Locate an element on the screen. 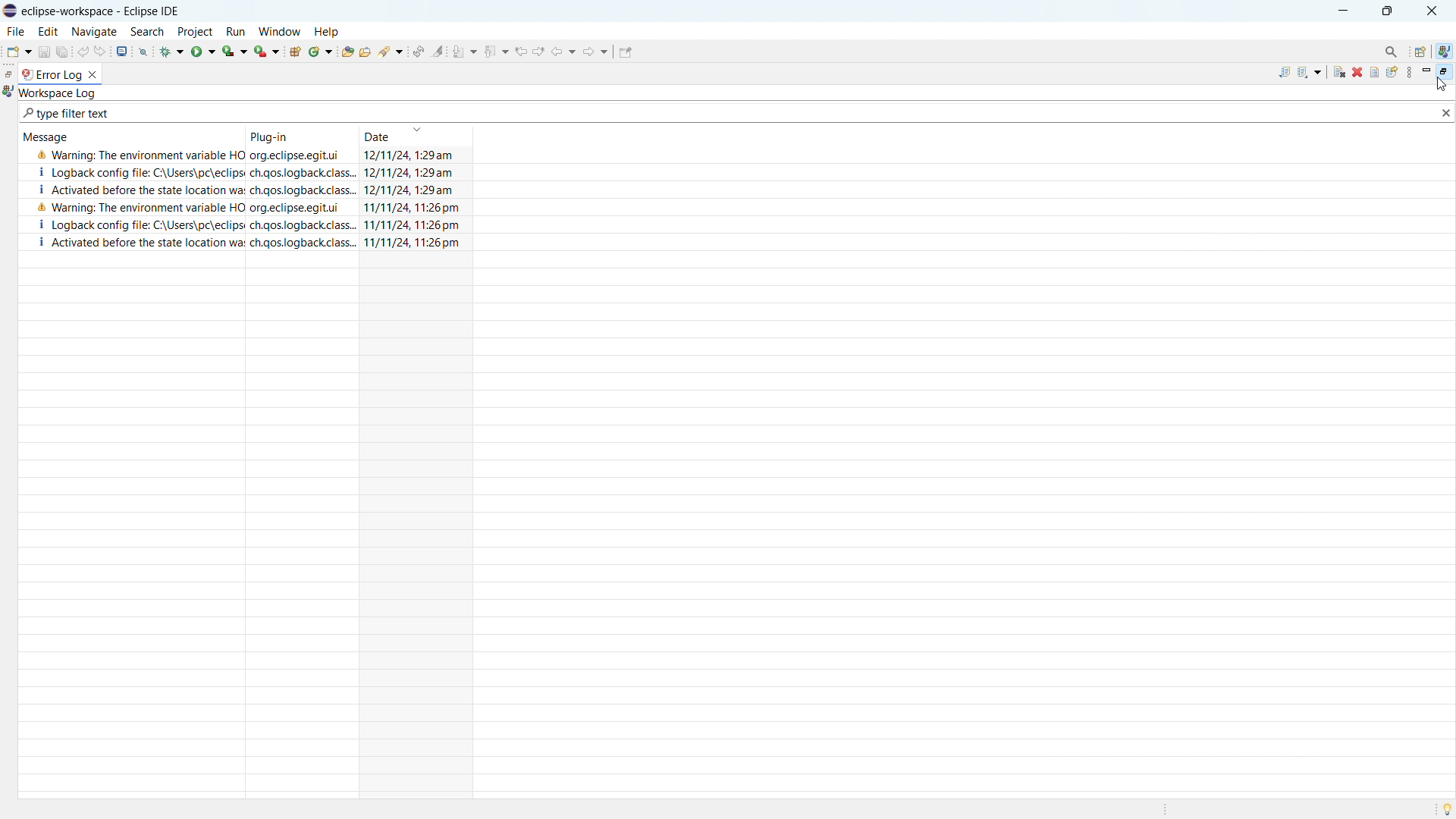  12/11/24, 1:29am is located at coordinates (412, 174).